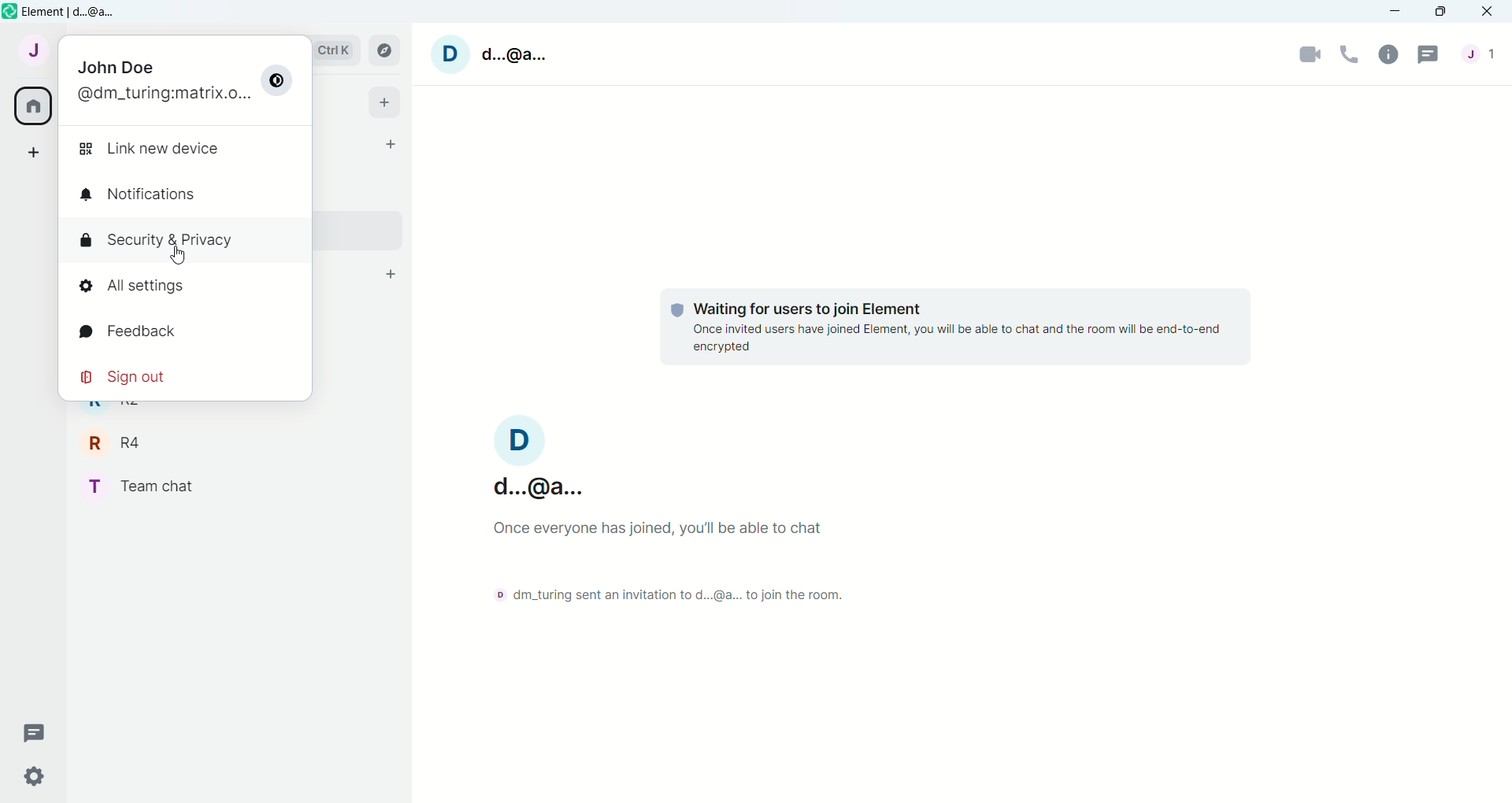 This screenshot has height=803, width=1512. I want to click on cursor, so click(177, 255).